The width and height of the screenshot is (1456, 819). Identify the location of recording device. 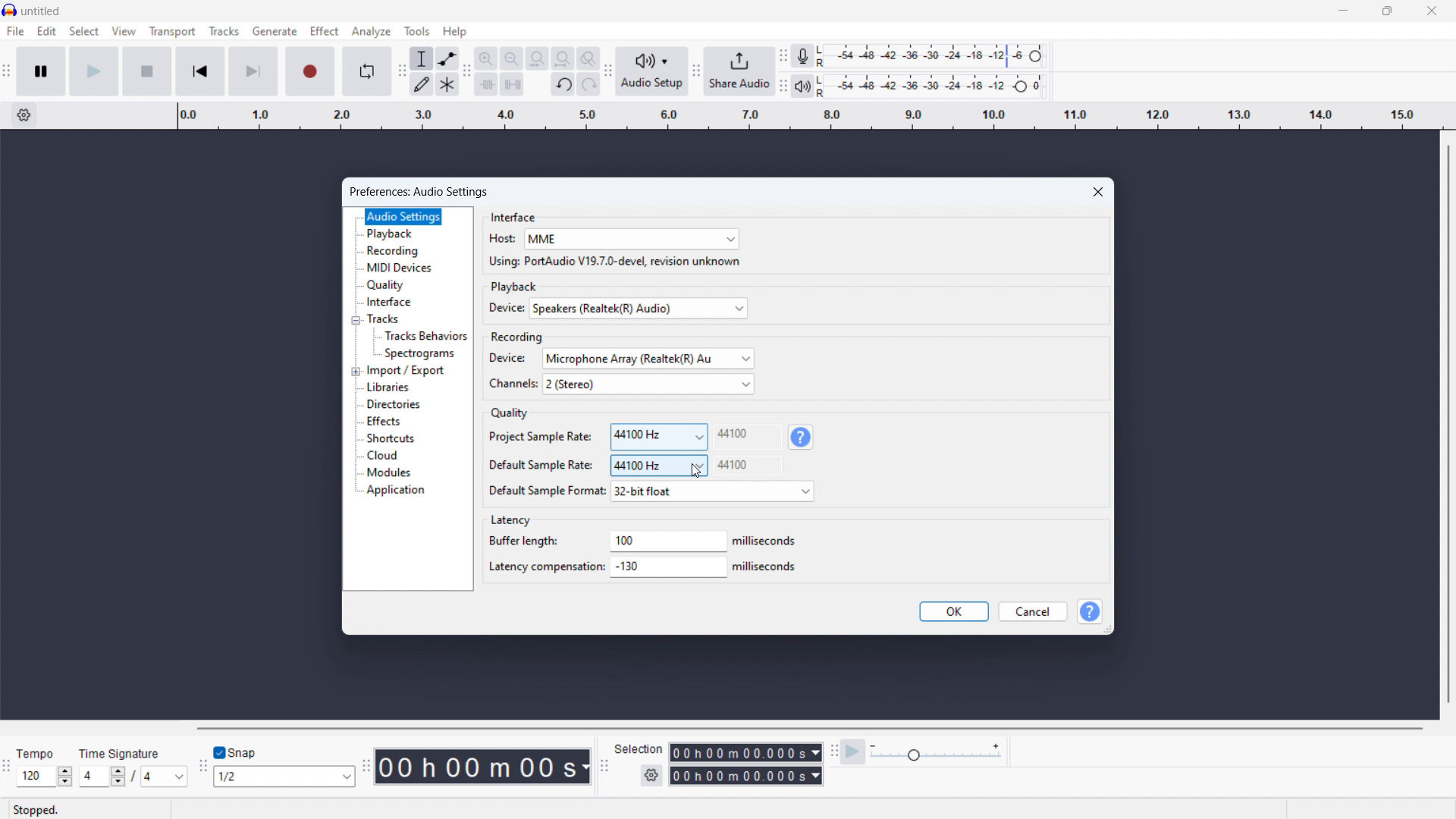
(648, 359).